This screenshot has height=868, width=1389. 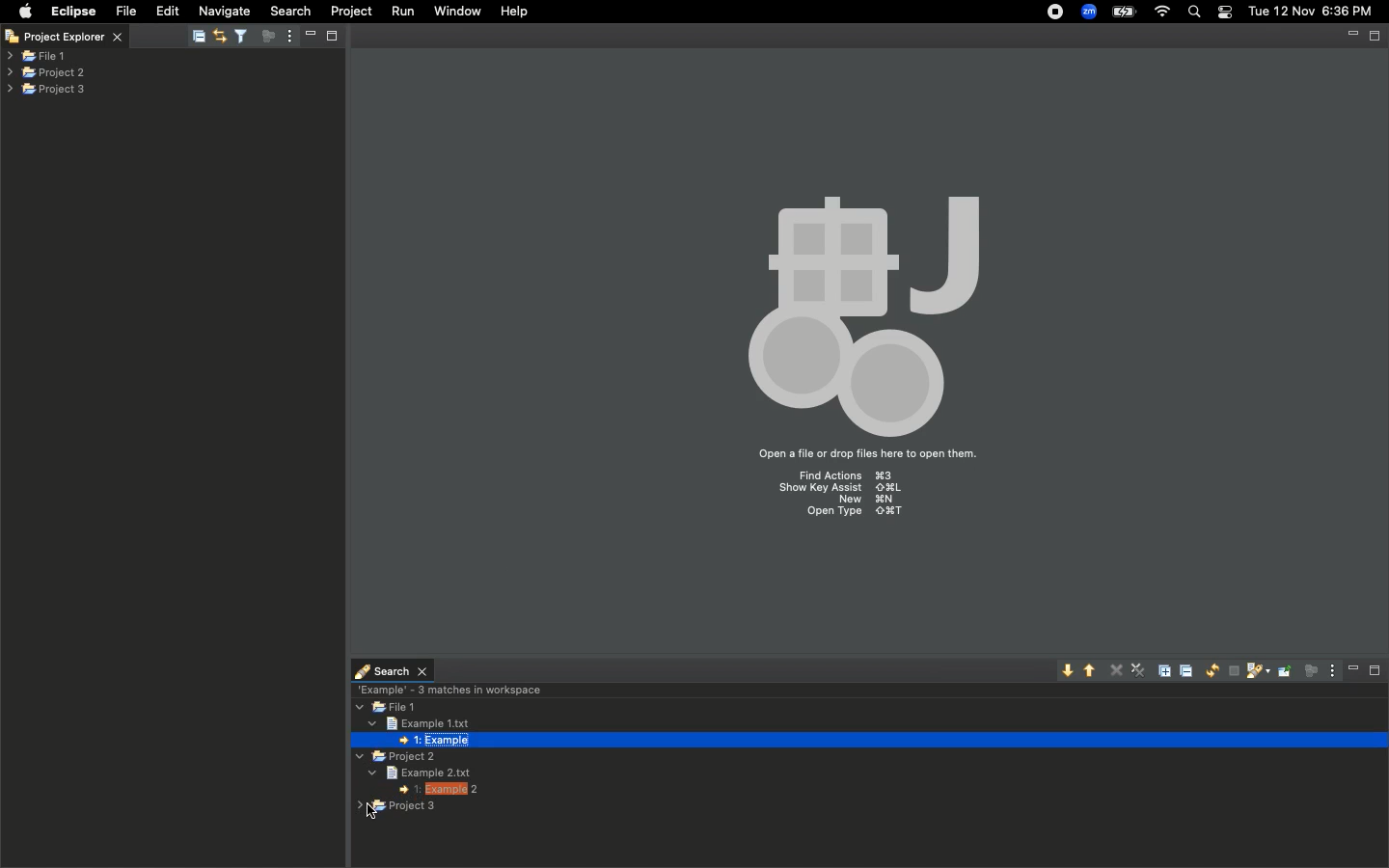 I want to click on Select and deselect filters , so click(x=245, y=34).